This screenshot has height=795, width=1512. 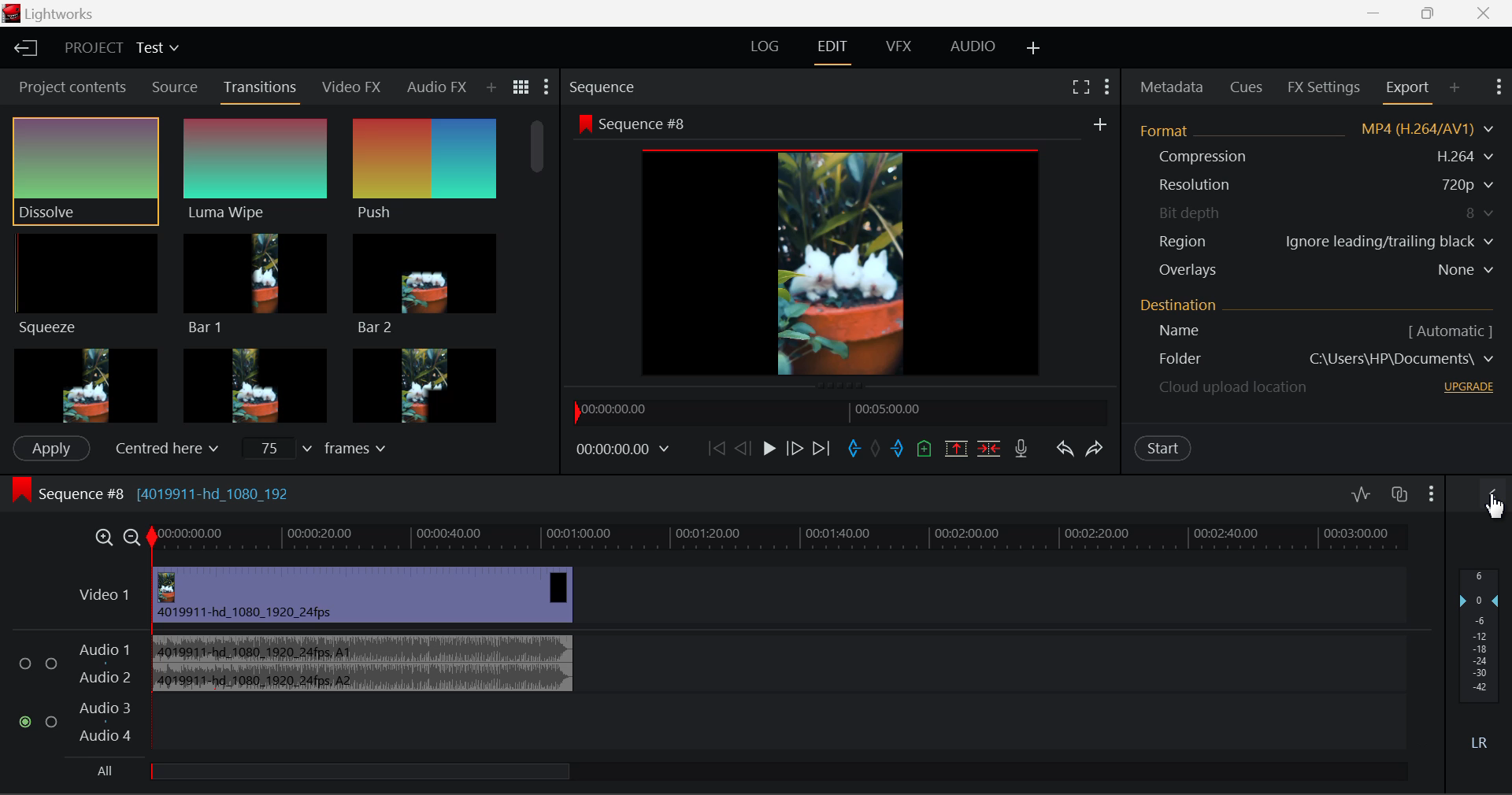 I want to click on Decibel Level, so click(x=1482, y=660).